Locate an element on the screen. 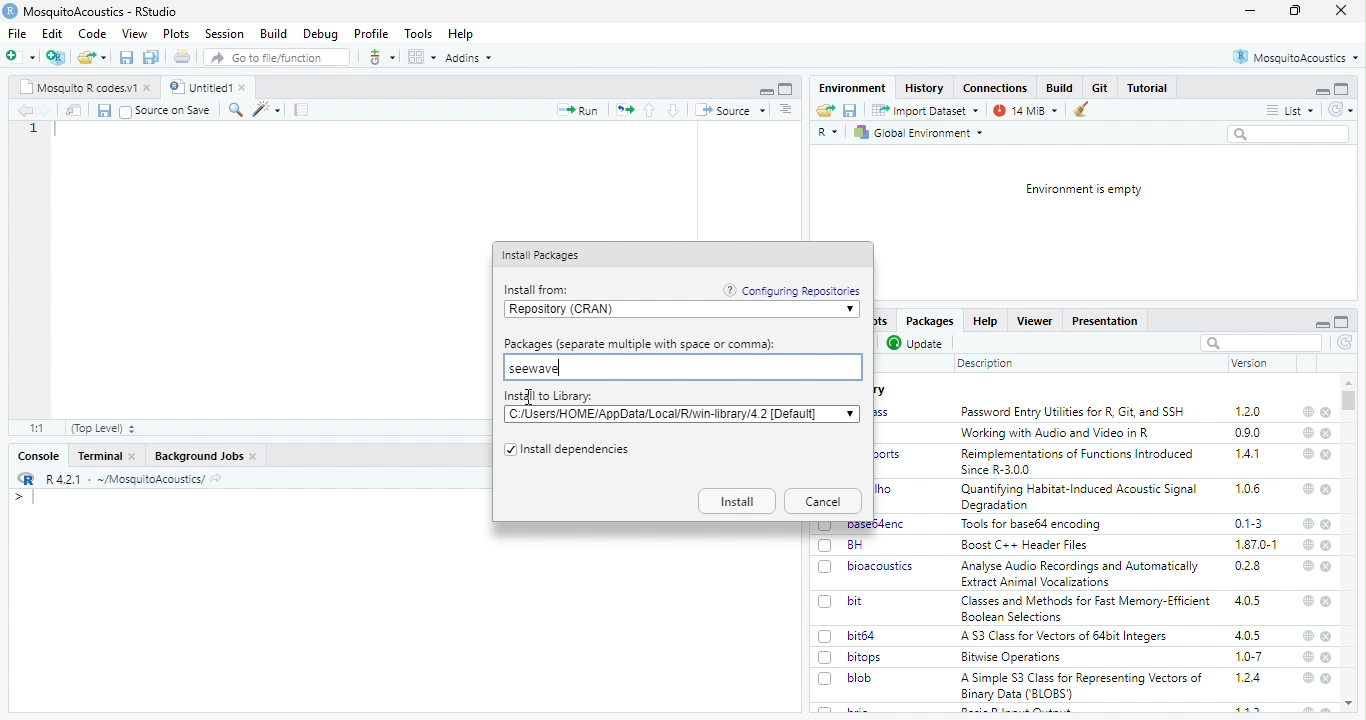  grid is located at coordinates (421, 57).